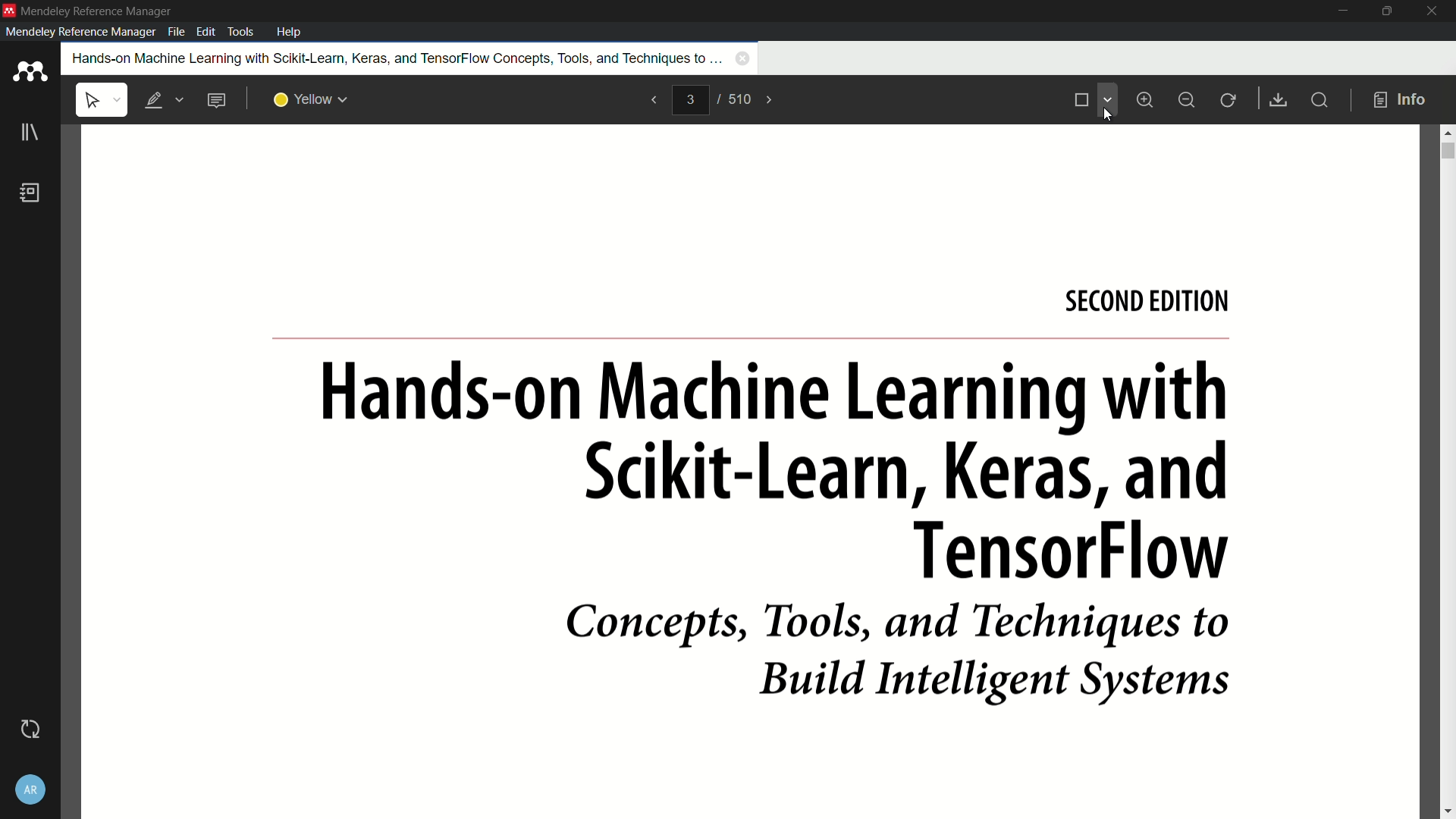 This screenshot has width=1456, height=819. Describe the element at coordinates (394, 58) in the screenshot. I see `book name` at that location.